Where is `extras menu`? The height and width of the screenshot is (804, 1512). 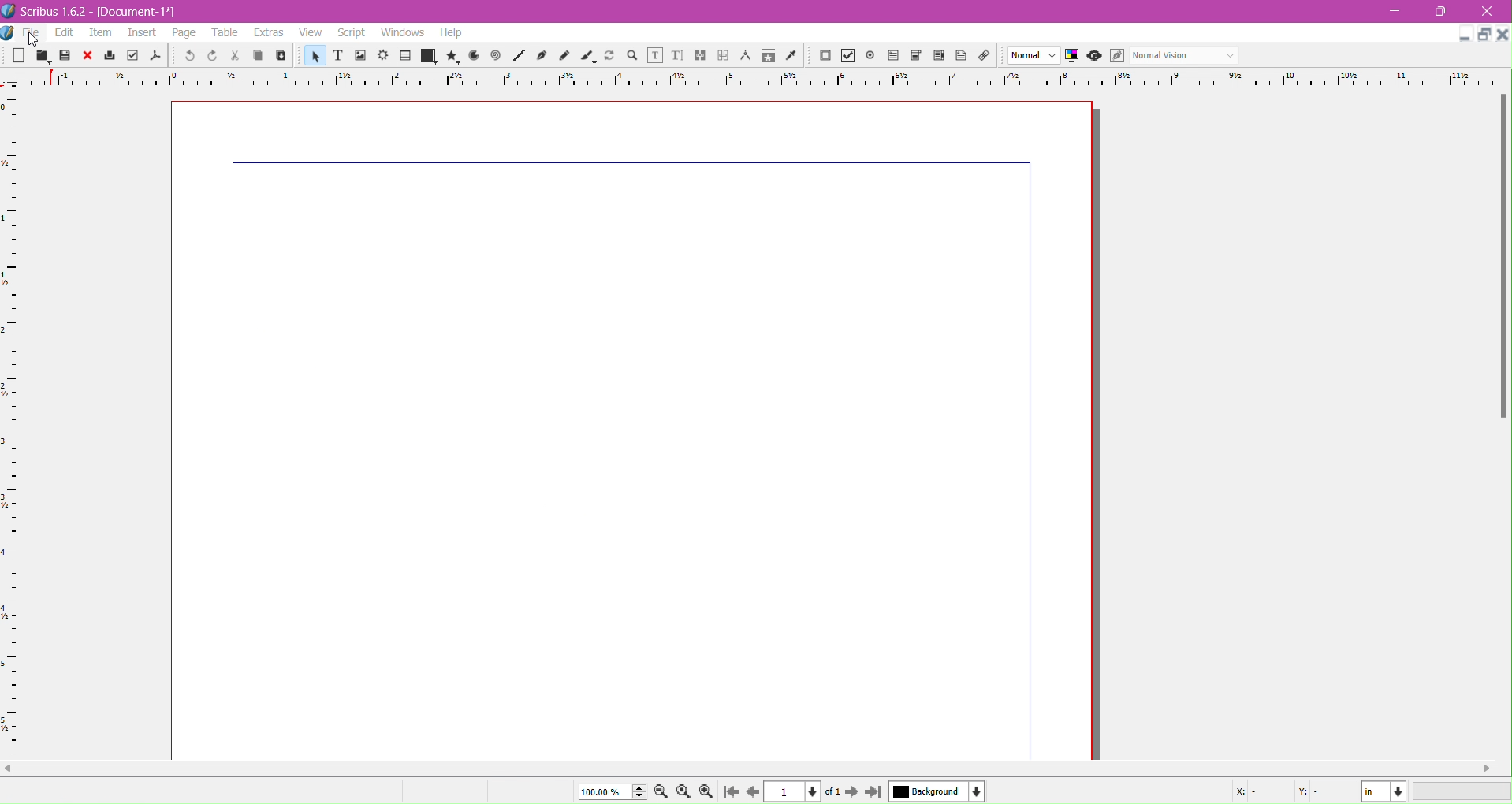
extras menu is located at coordinates (270, 33).